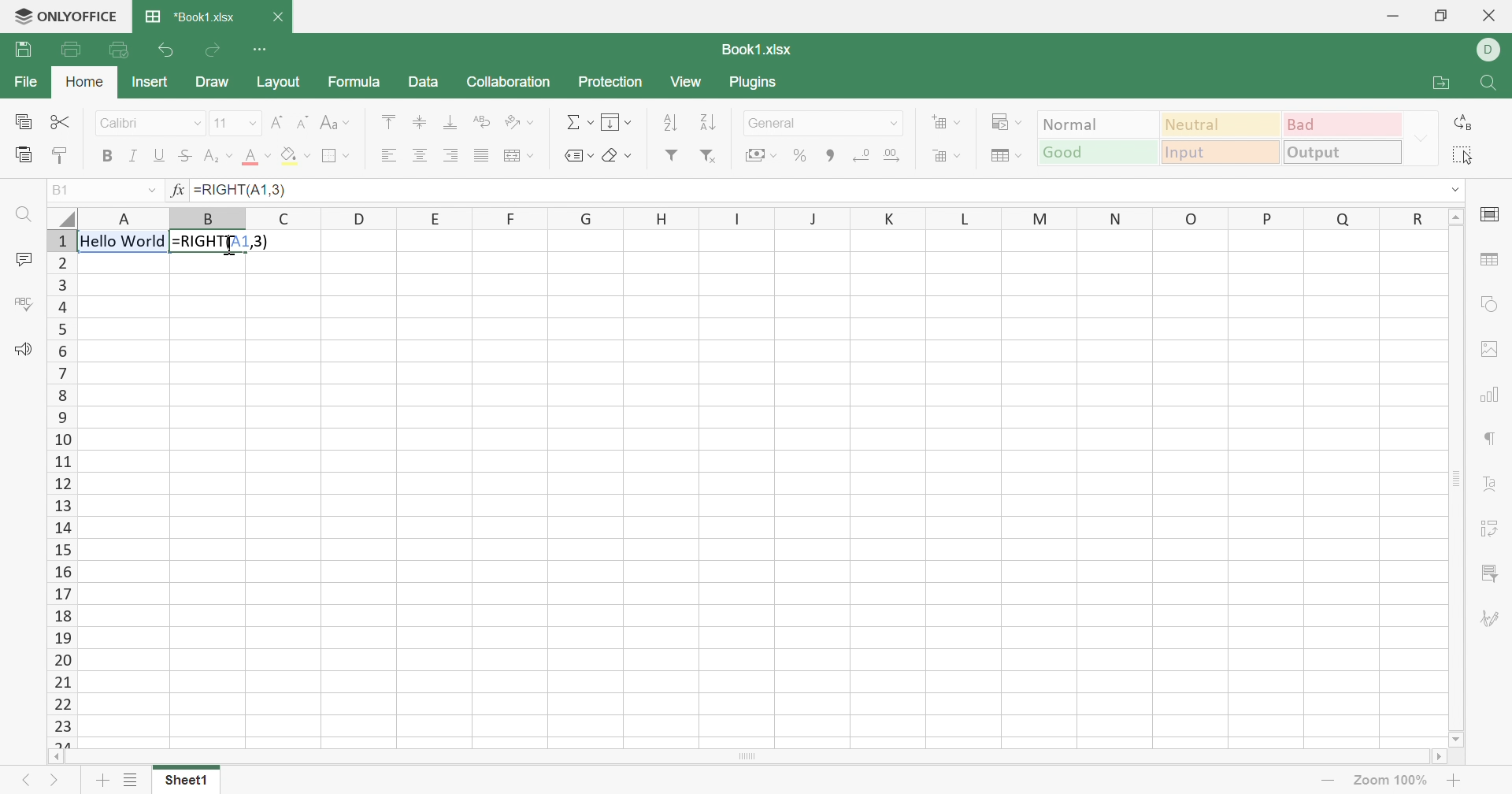 This screenshot has width=1512, height=794. Describe the element at coordinates (1097, 124) in the screenshot. I see `Normal` at that location.